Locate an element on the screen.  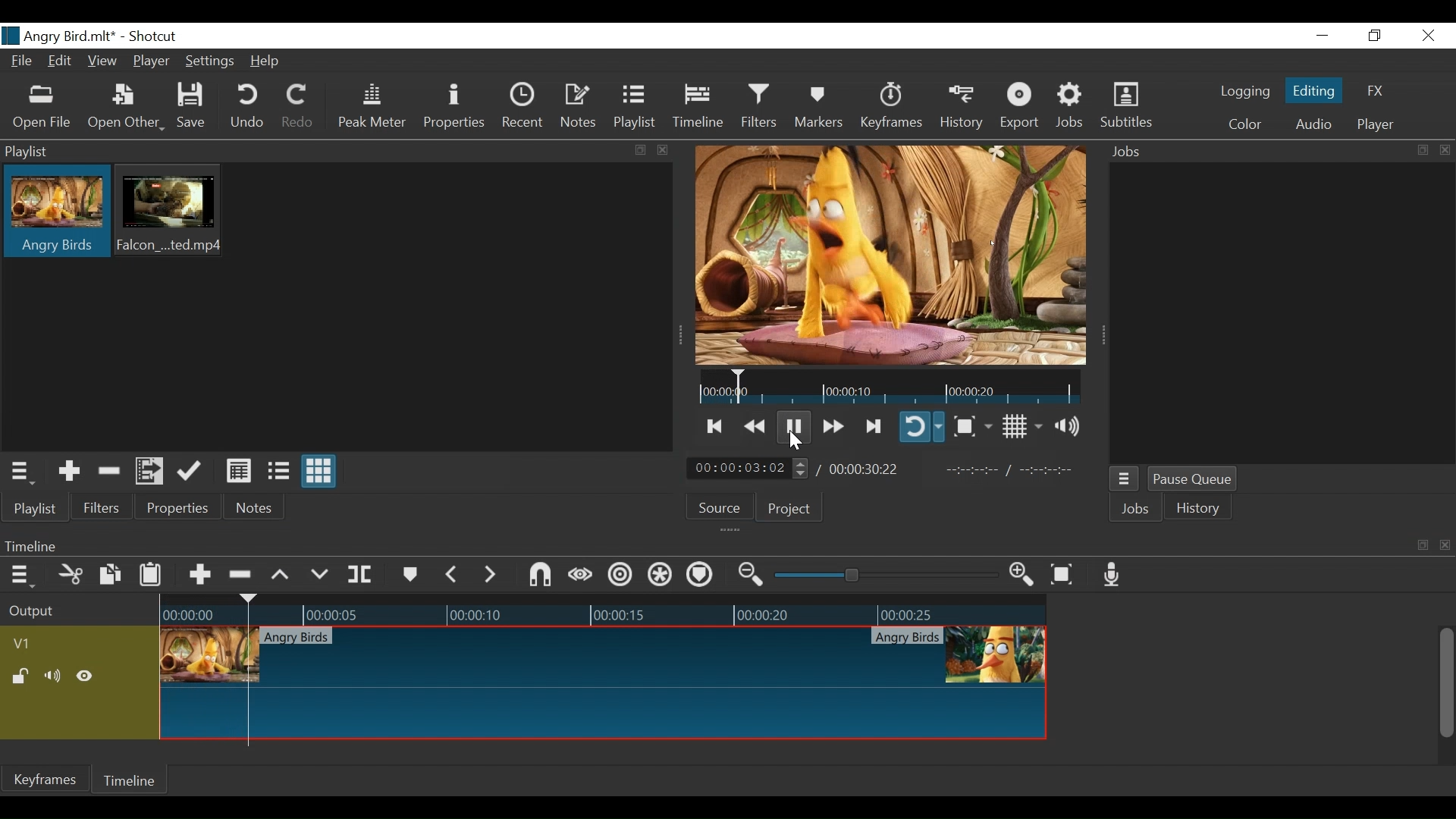
Copy is located at coordinates (108, 575).